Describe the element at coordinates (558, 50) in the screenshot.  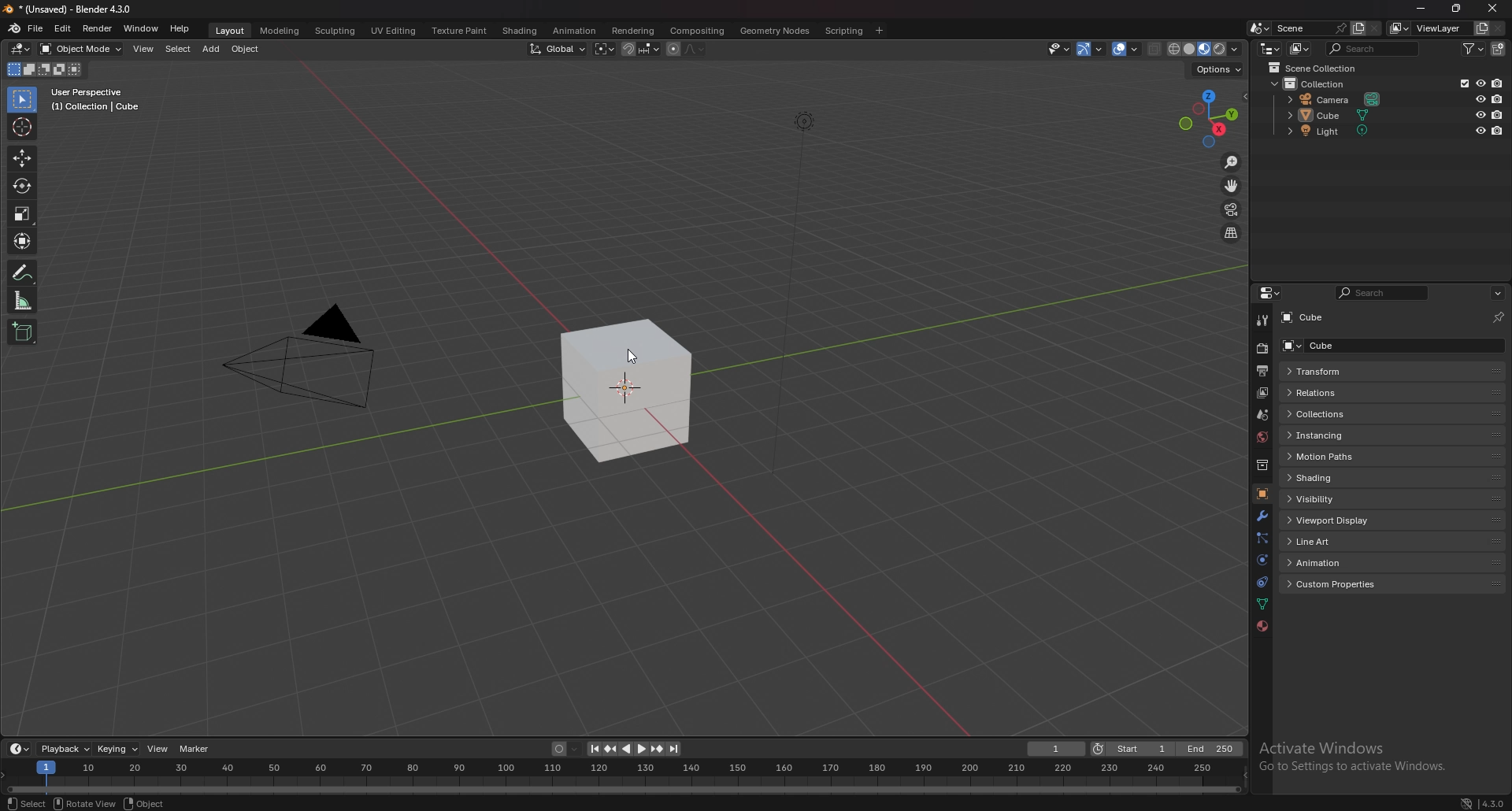
I see `transformation orientation` at that location.